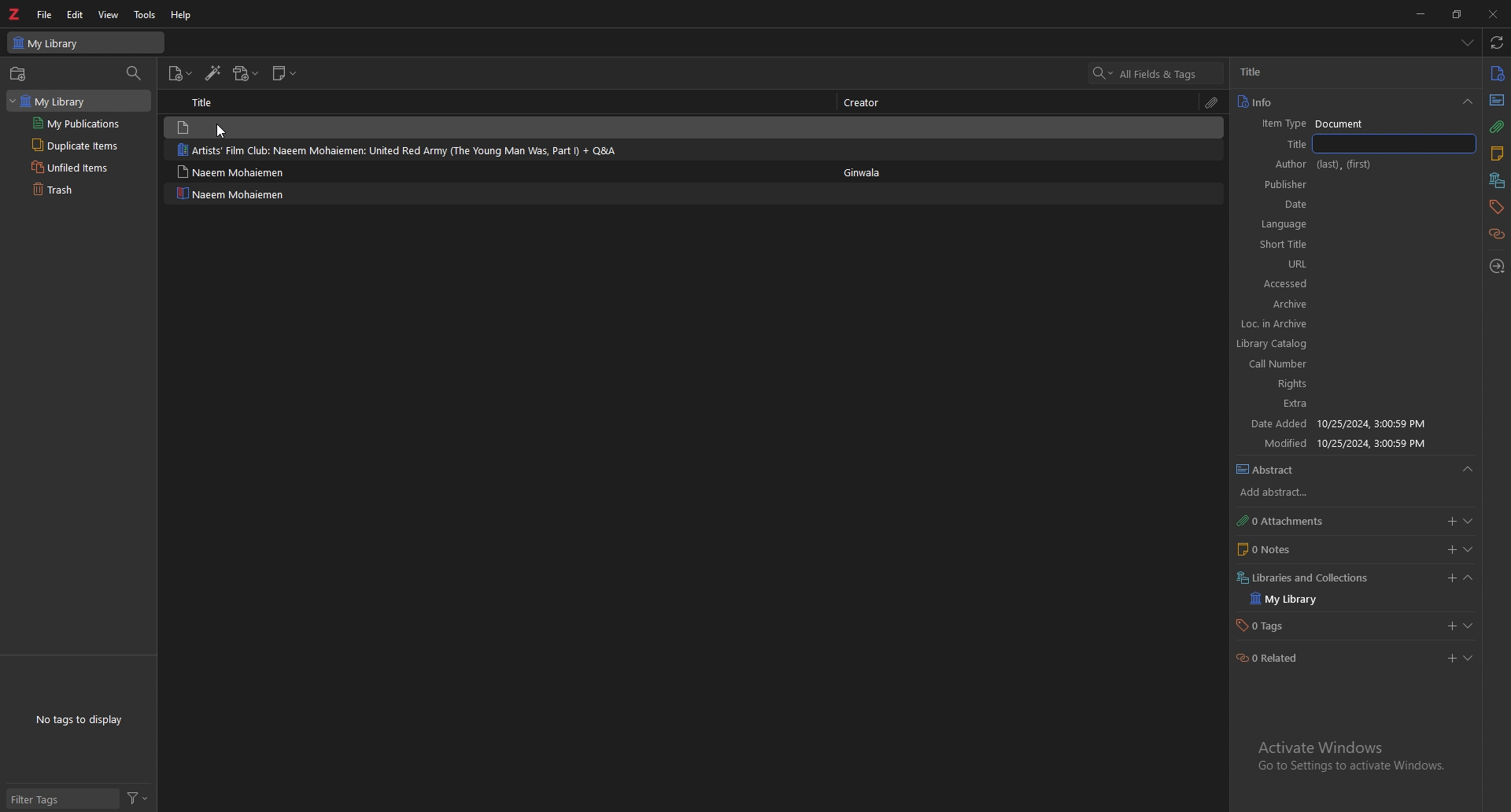 The image size is (1511, 812). What do you see at coordinates (1450, 549) in the screenshot?
I see `add notes` at bounding box center [1450, 549].